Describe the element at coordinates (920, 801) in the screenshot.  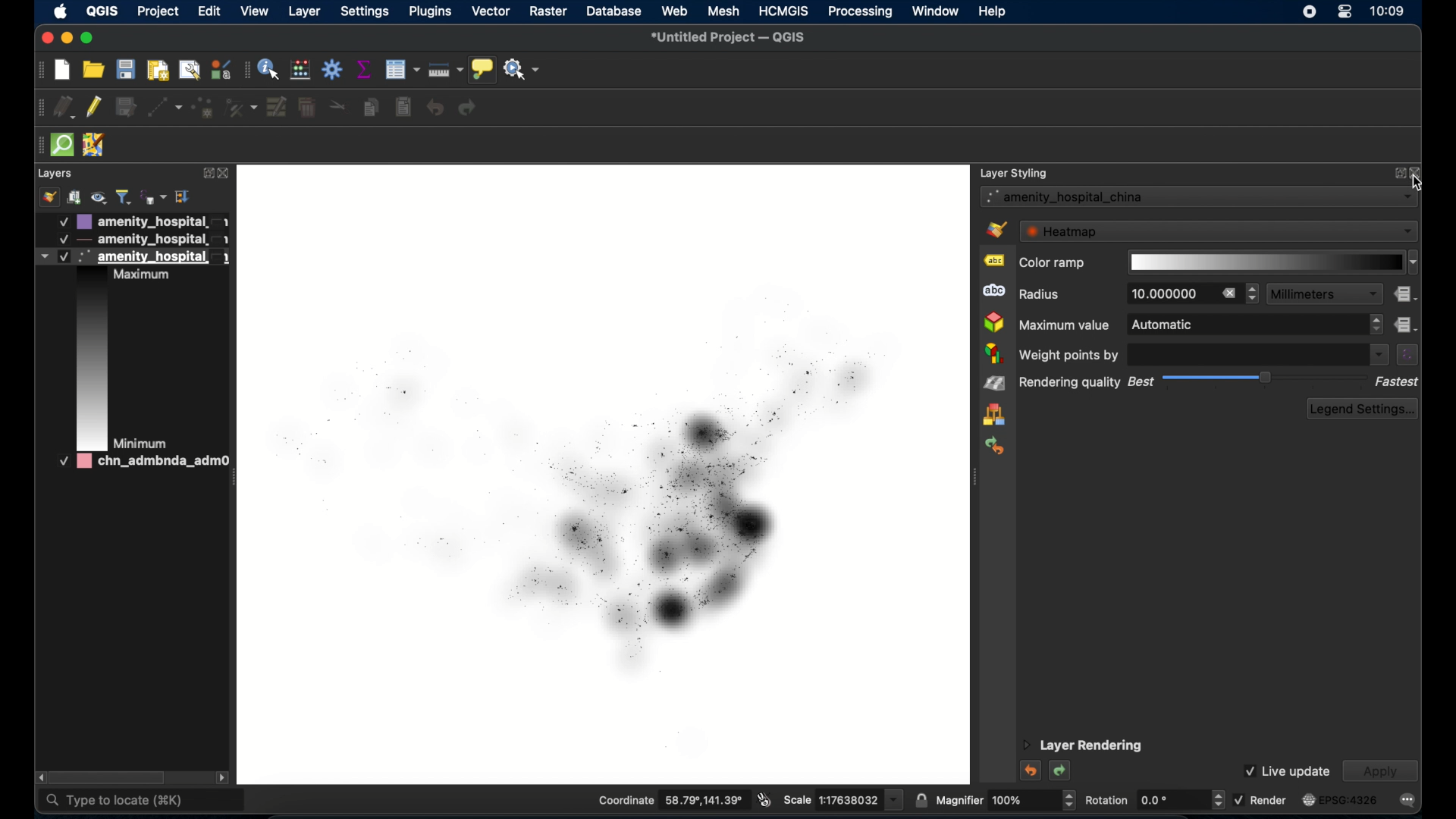
I see `lock scale` at that location.